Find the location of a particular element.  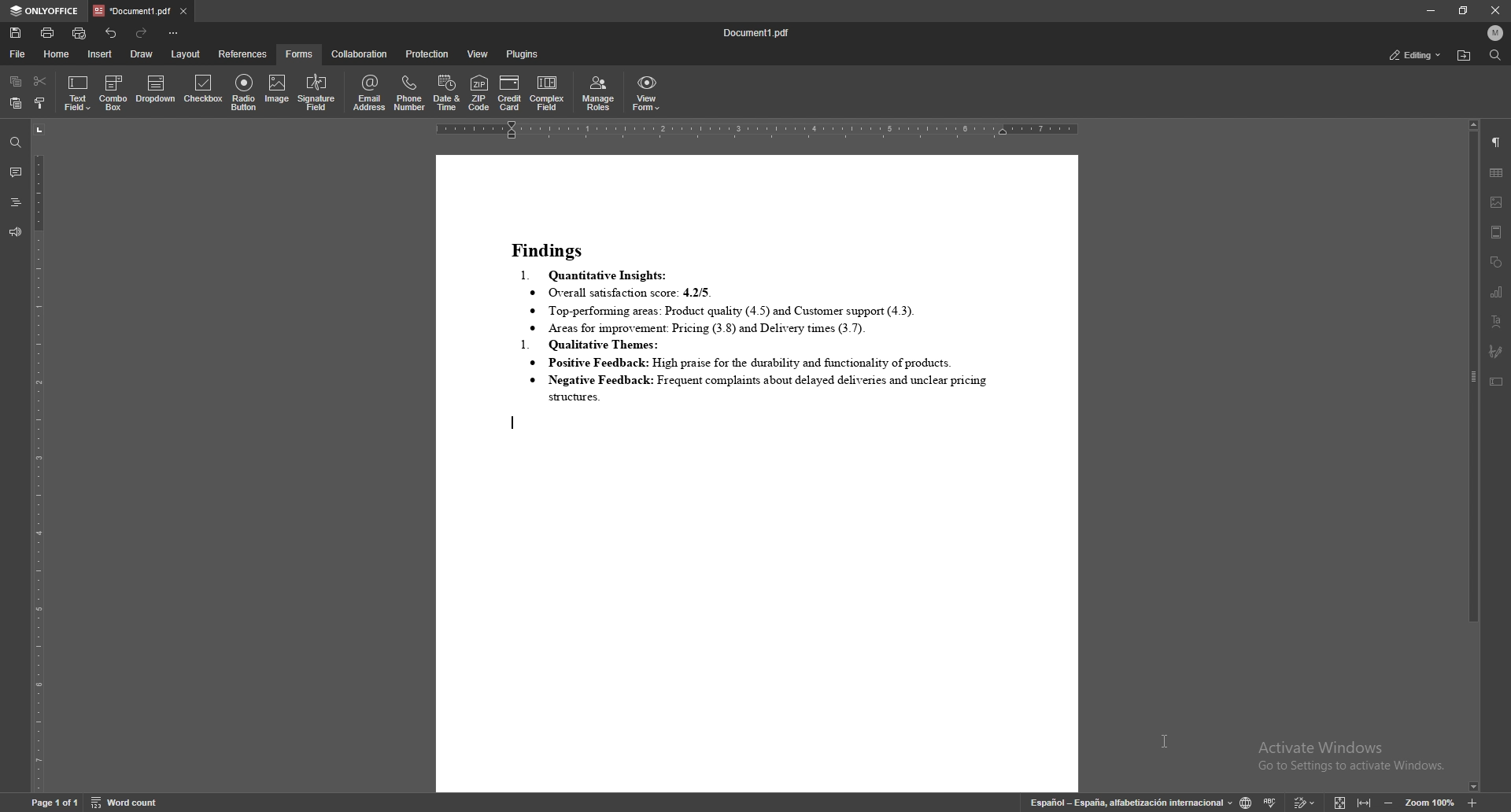

copy style is located at coordinates (39, 104).